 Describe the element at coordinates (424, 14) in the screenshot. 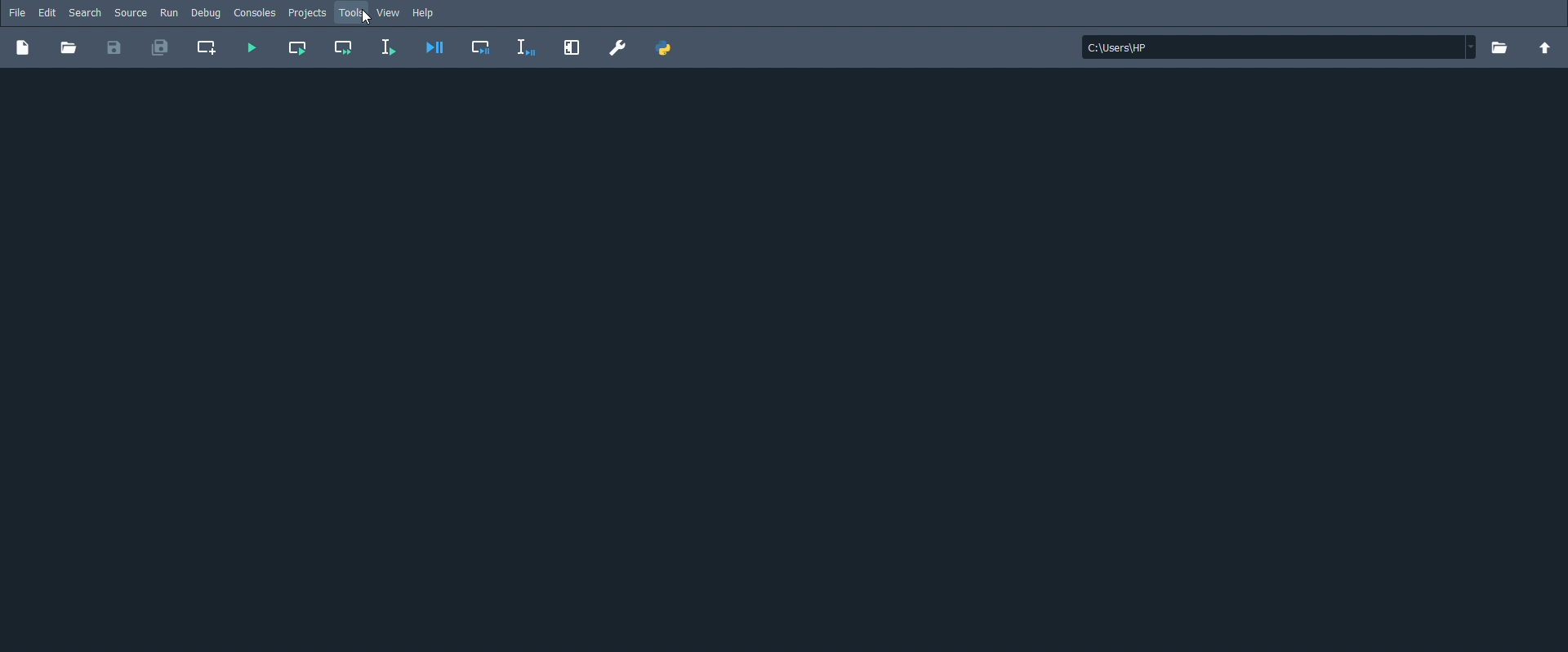

I see `Help` at that location.